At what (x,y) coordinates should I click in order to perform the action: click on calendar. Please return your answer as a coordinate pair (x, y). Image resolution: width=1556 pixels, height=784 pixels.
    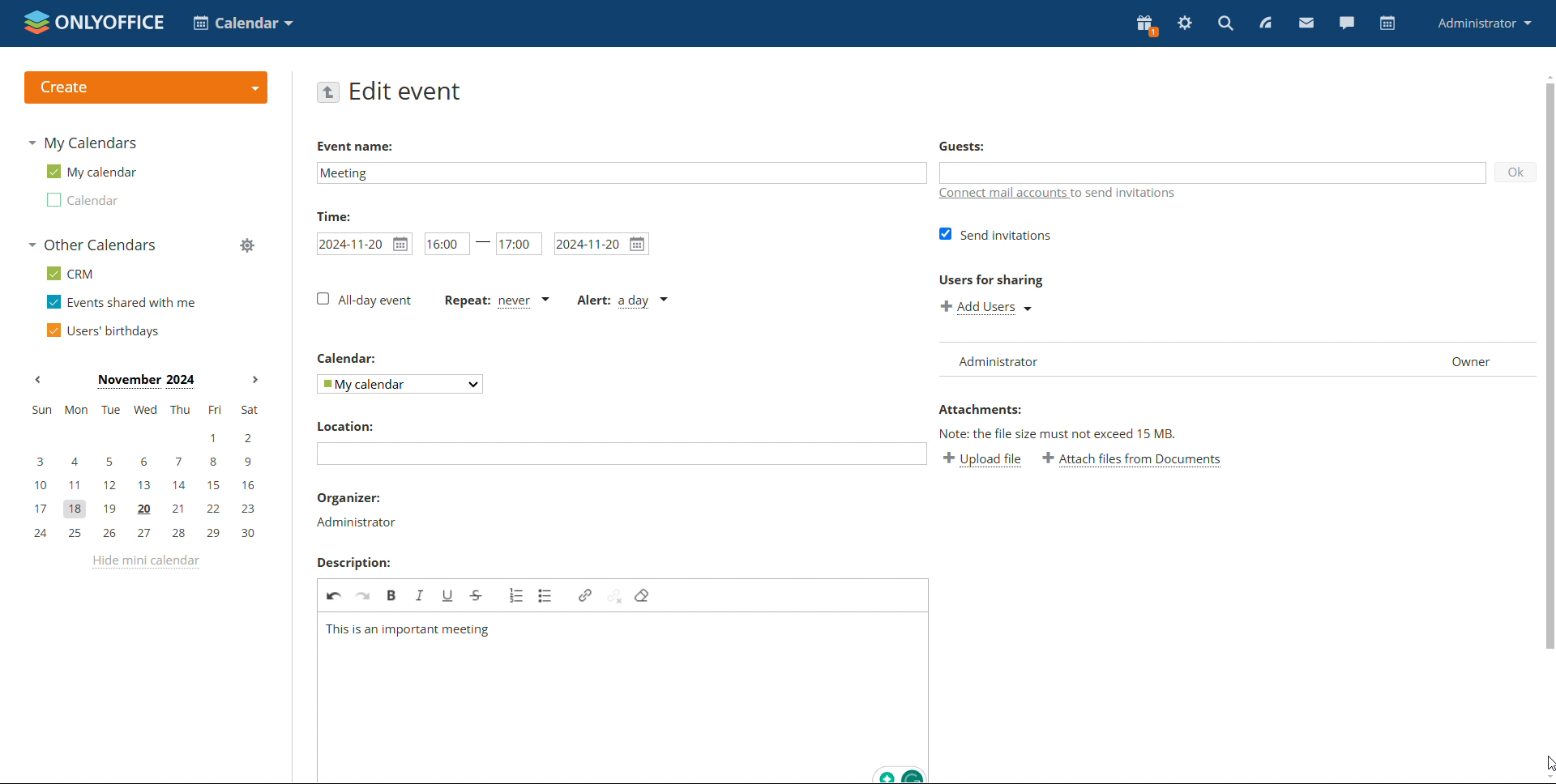
    Looking at the image, I should click on (1389, 23).